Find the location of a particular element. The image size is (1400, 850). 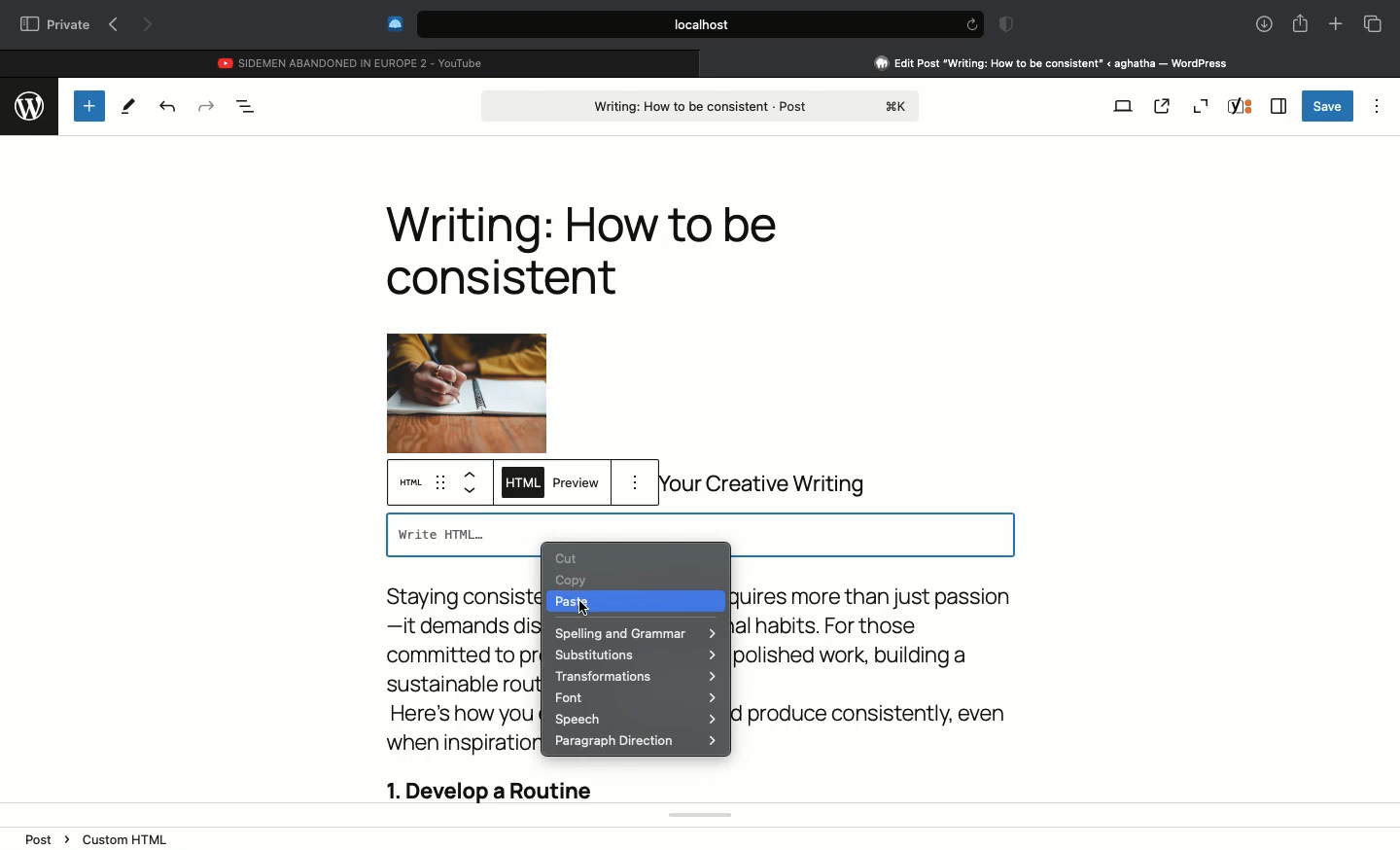

cursor is located at coordinates (581, 611).